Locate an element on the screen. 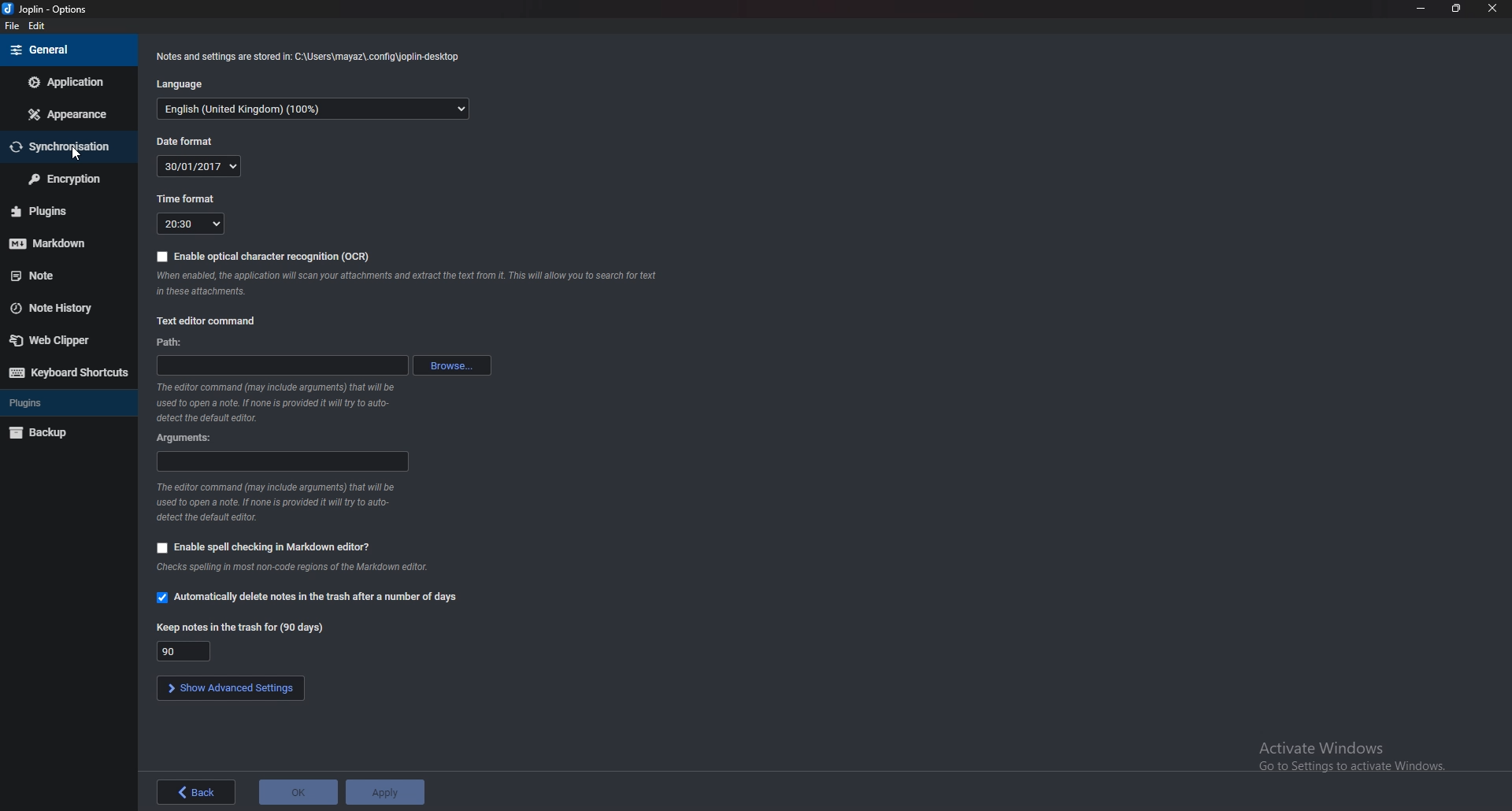 The width and height of the screenshot is (1512, 811). close is located at coordinates (1491, 9).